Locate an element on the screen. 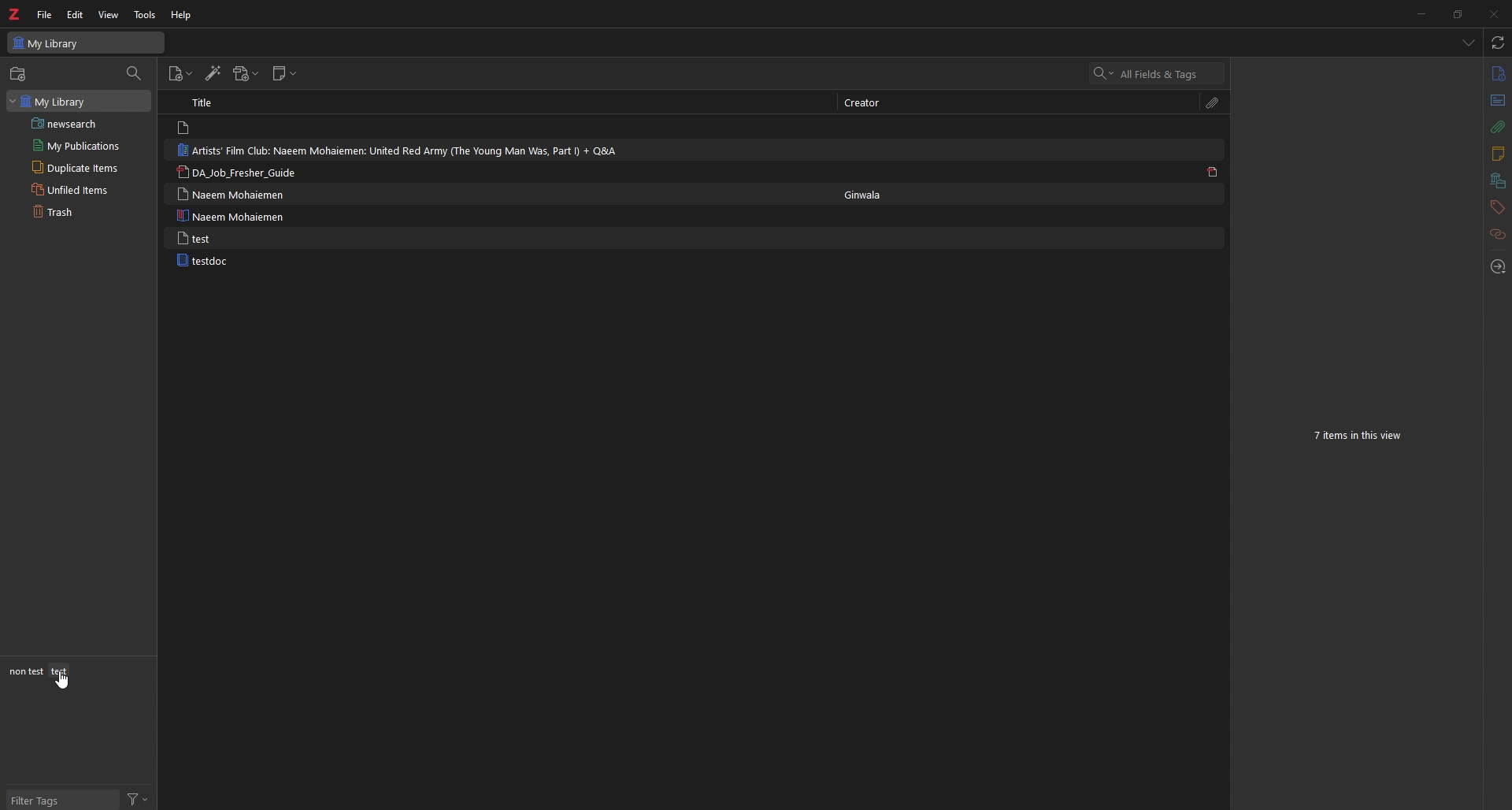 The width and height of the screenshot is (1512, 810). 7 items in this view is located at coordinates (1356, 436).